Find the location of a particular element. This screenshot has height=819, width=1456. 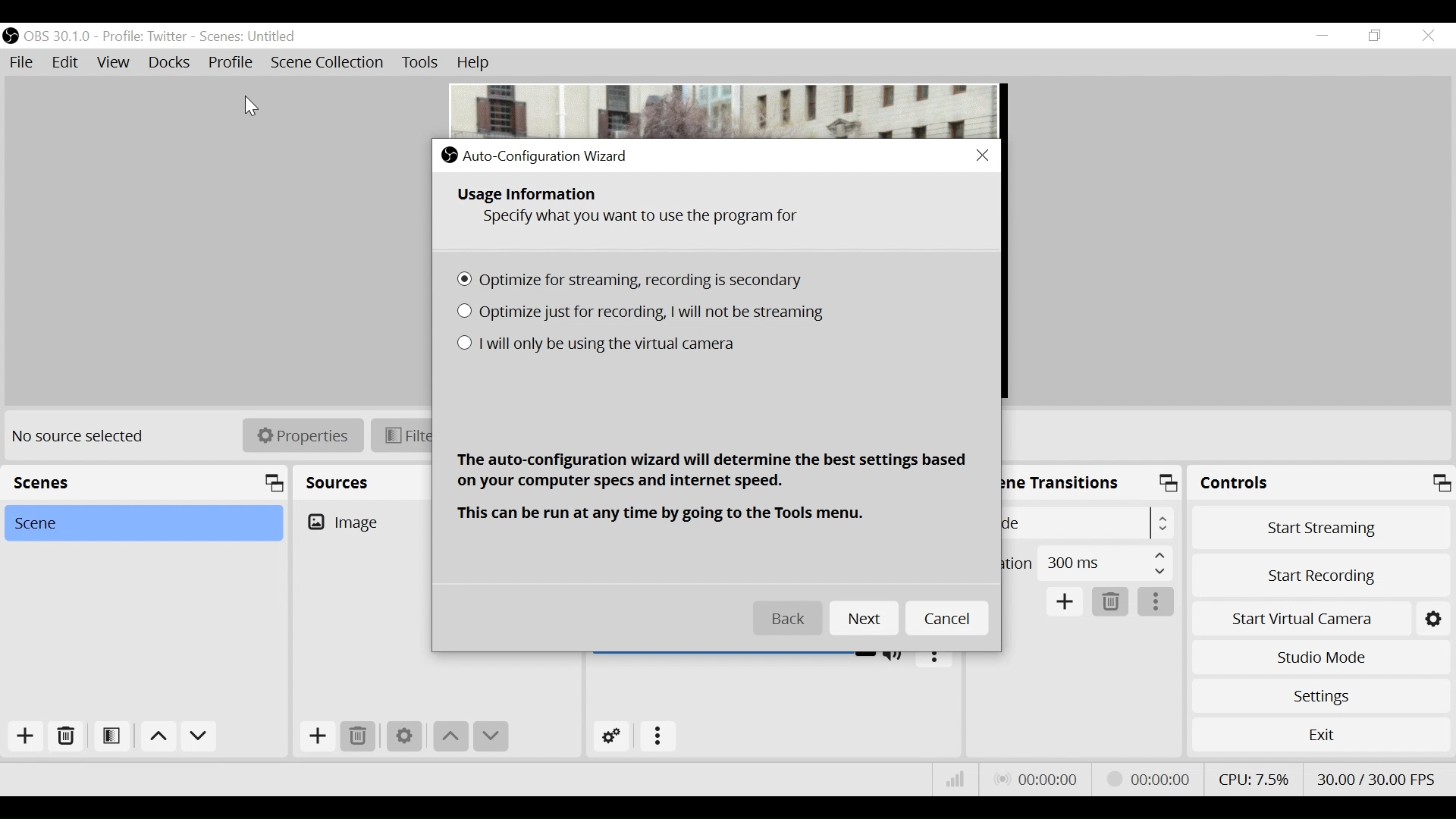

Add is located at coordinates (21, 738).